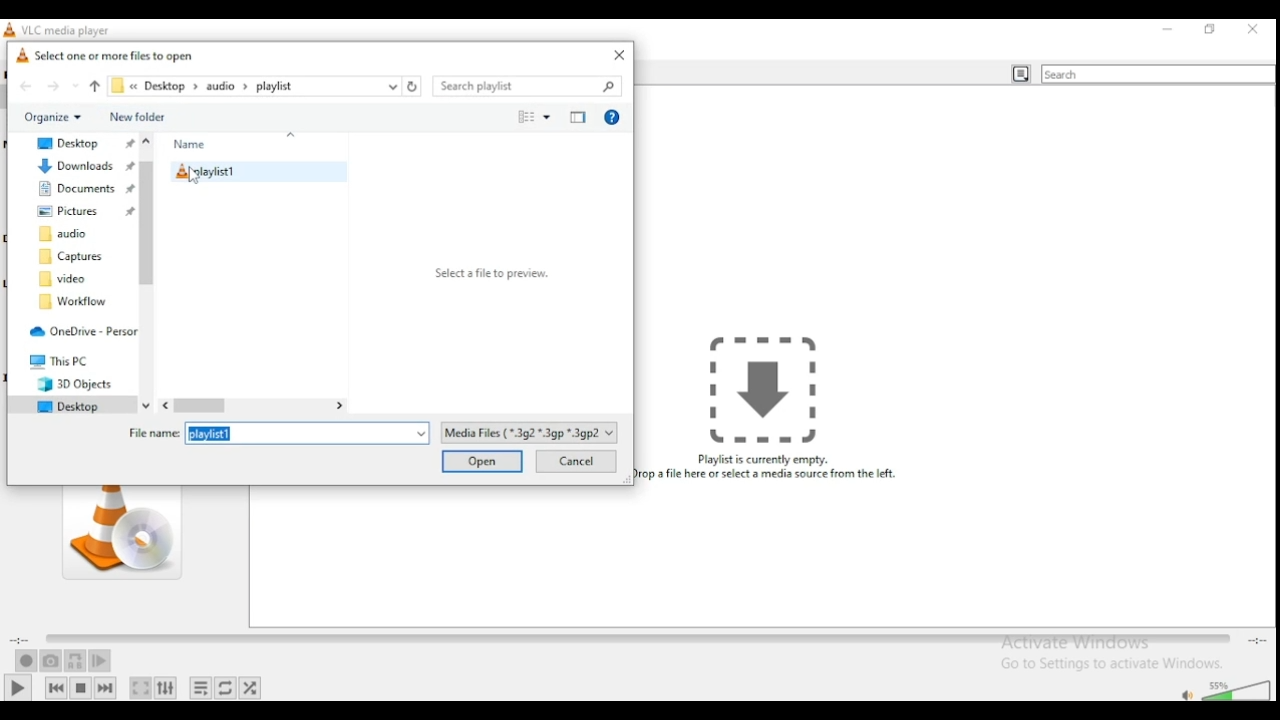 The height and width of the screenshot is (720, 1280). I want to click on random, so click(254, 687).